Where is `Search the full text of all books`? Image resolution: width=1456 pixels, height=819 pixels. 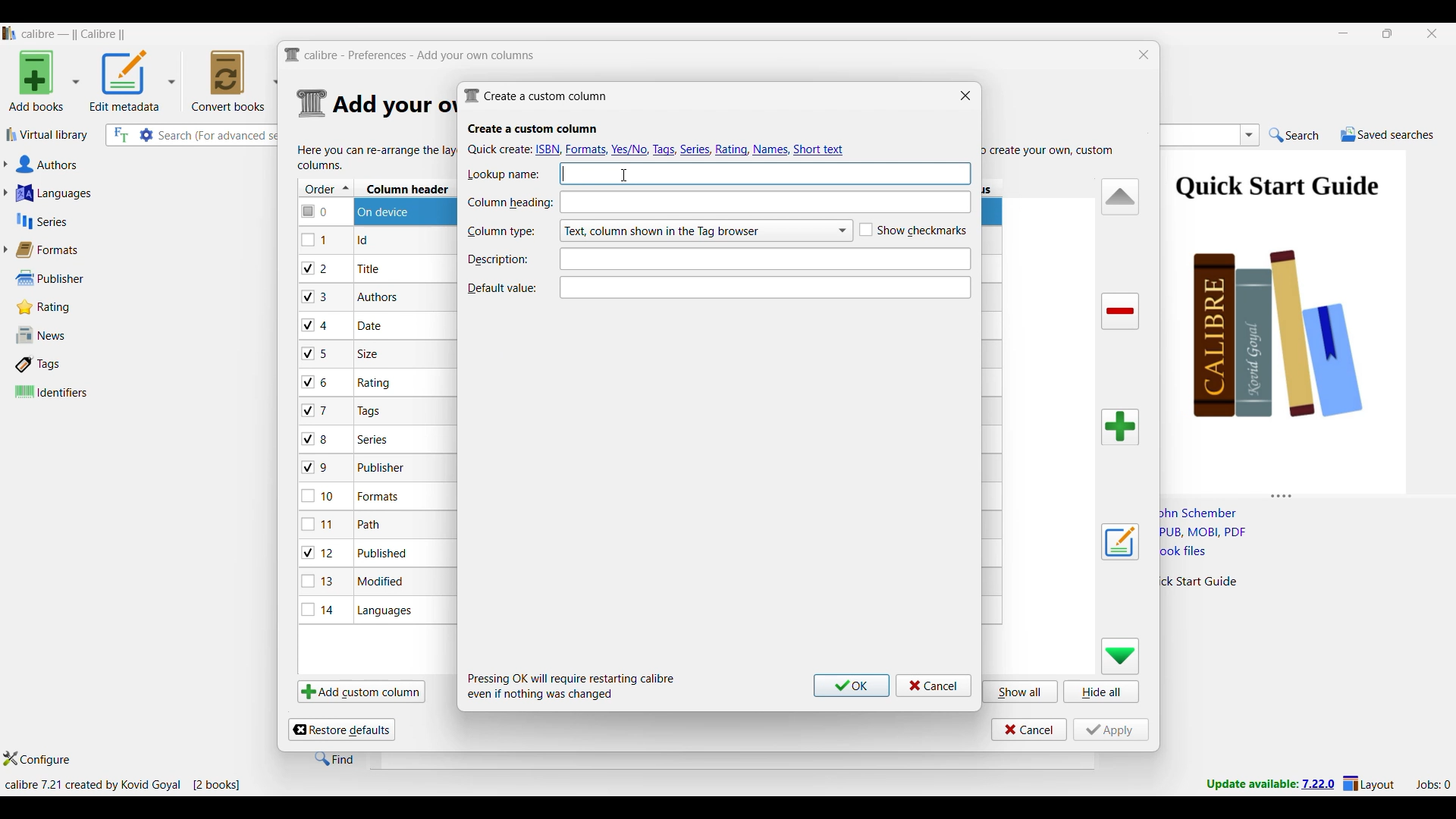
Search the full text of all books is located at coordinates (120, 135).